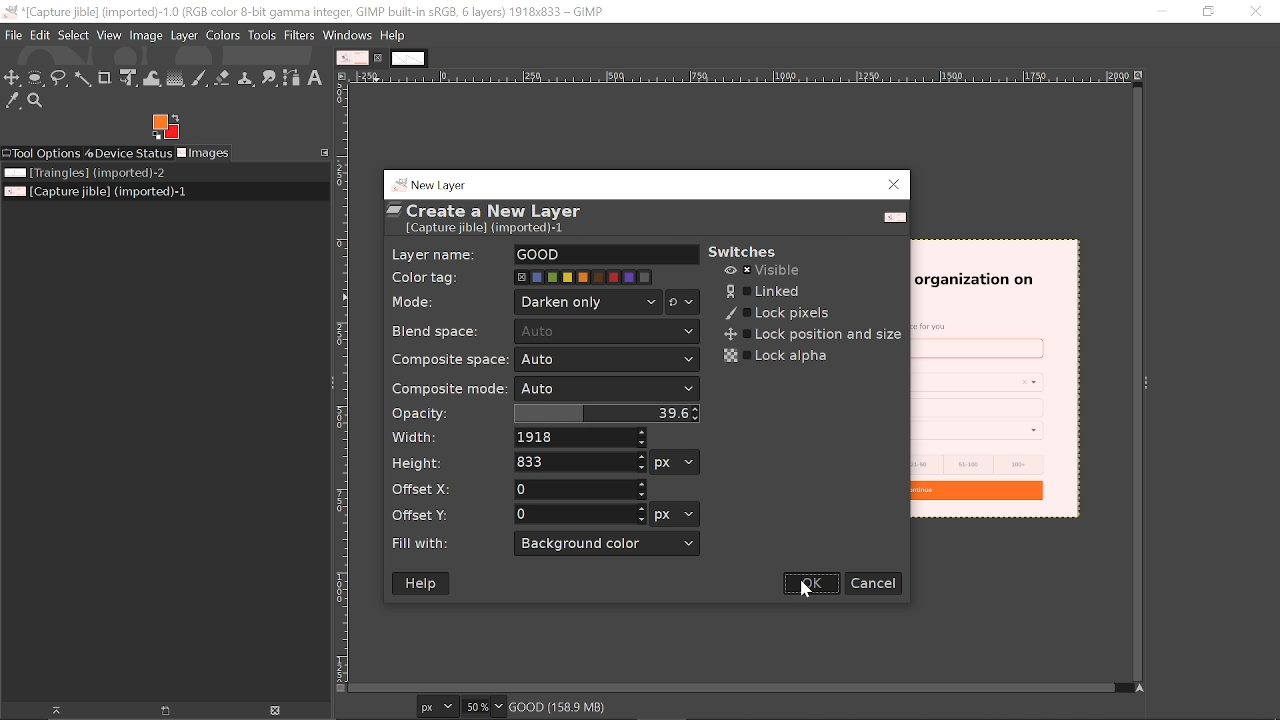 This screenshot has width=1280, height=720. What do you see at coordinates (339, 690) in the screenshot?
I see `Toggle quick mask on/off` at bounding box center [339, 690].